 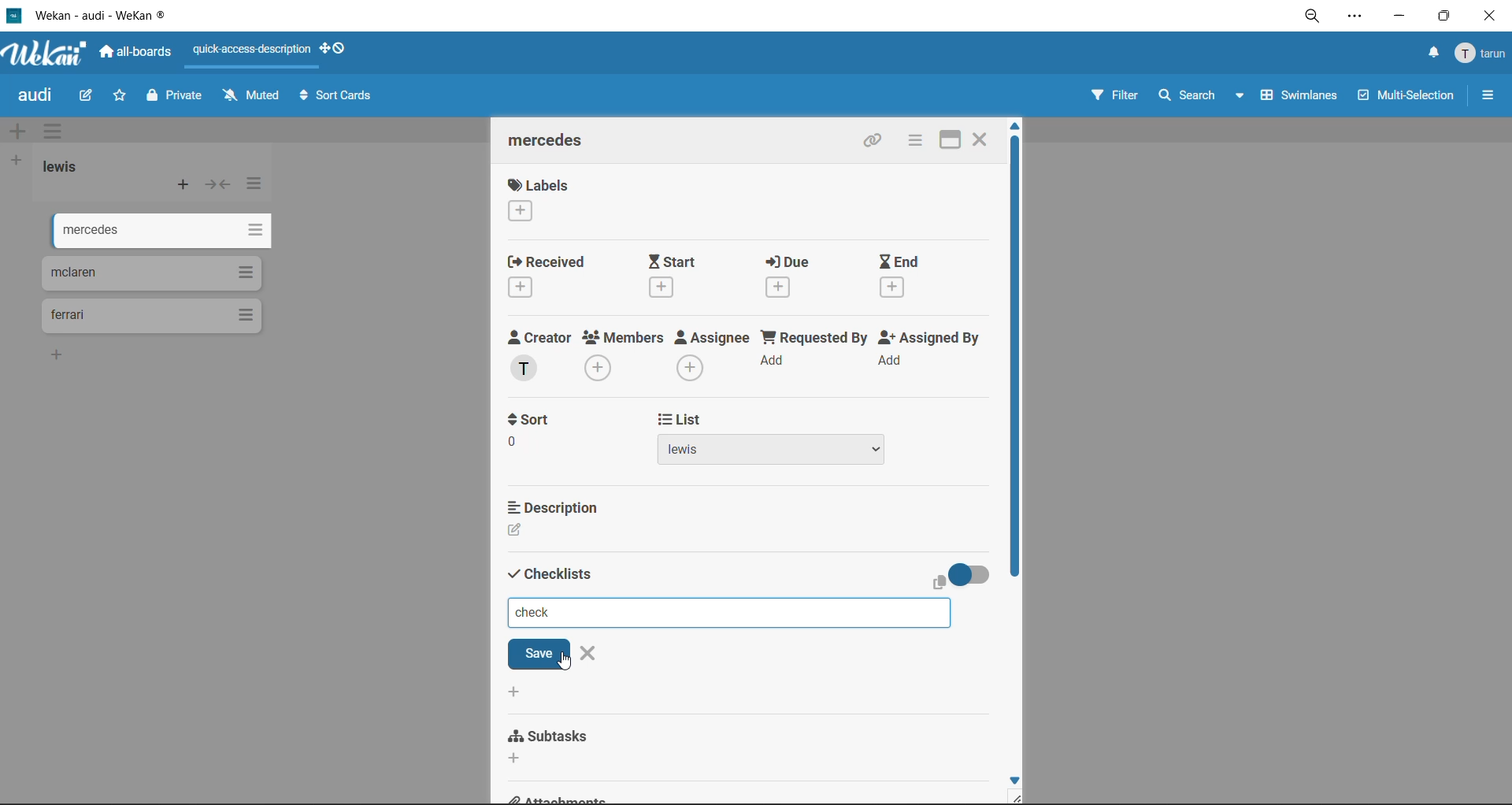 I want to click on muted, so click(x=250, y=96).